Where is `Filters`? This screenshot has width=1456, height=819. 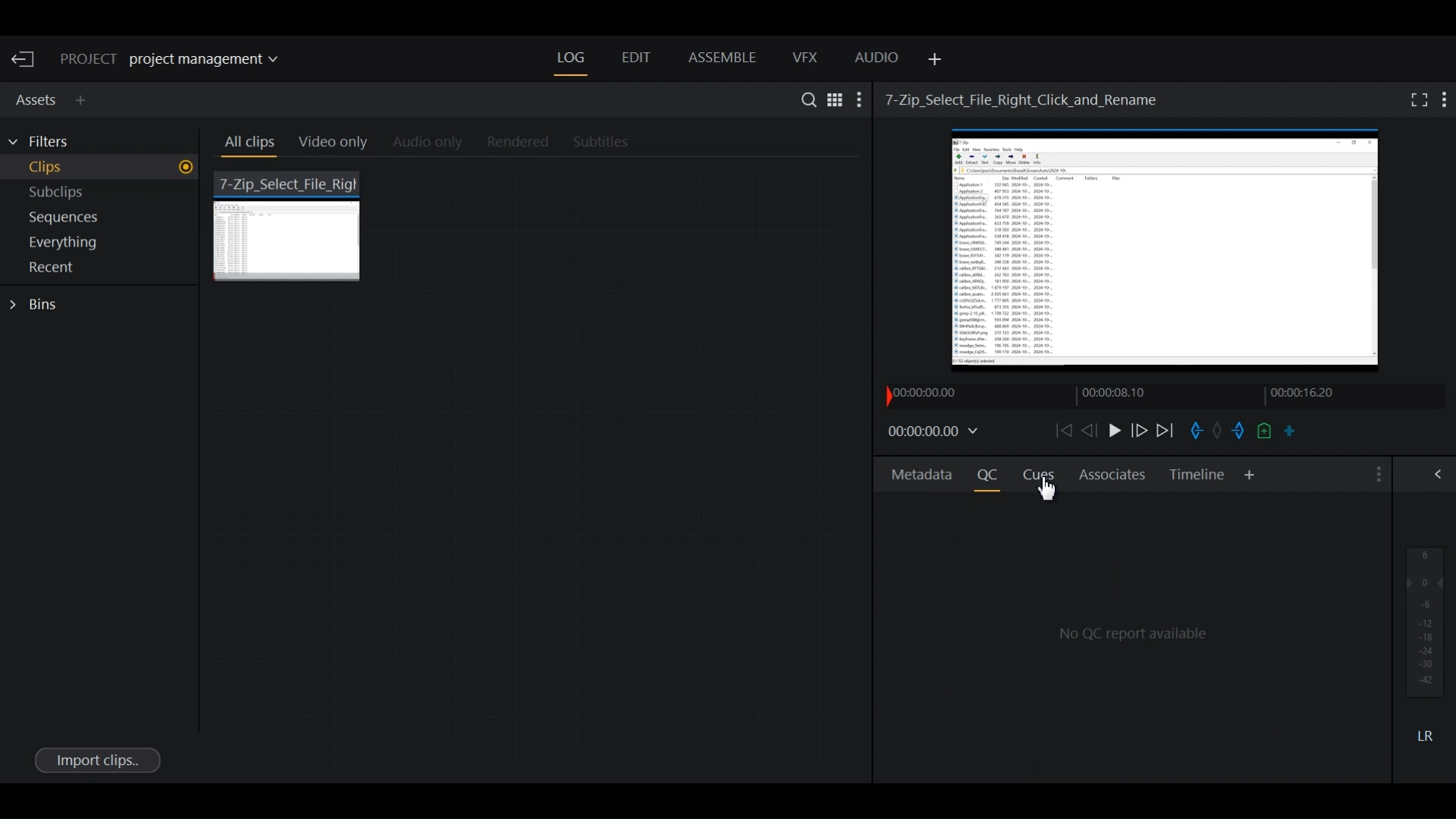 Filters is located at coordinates (47, 142).